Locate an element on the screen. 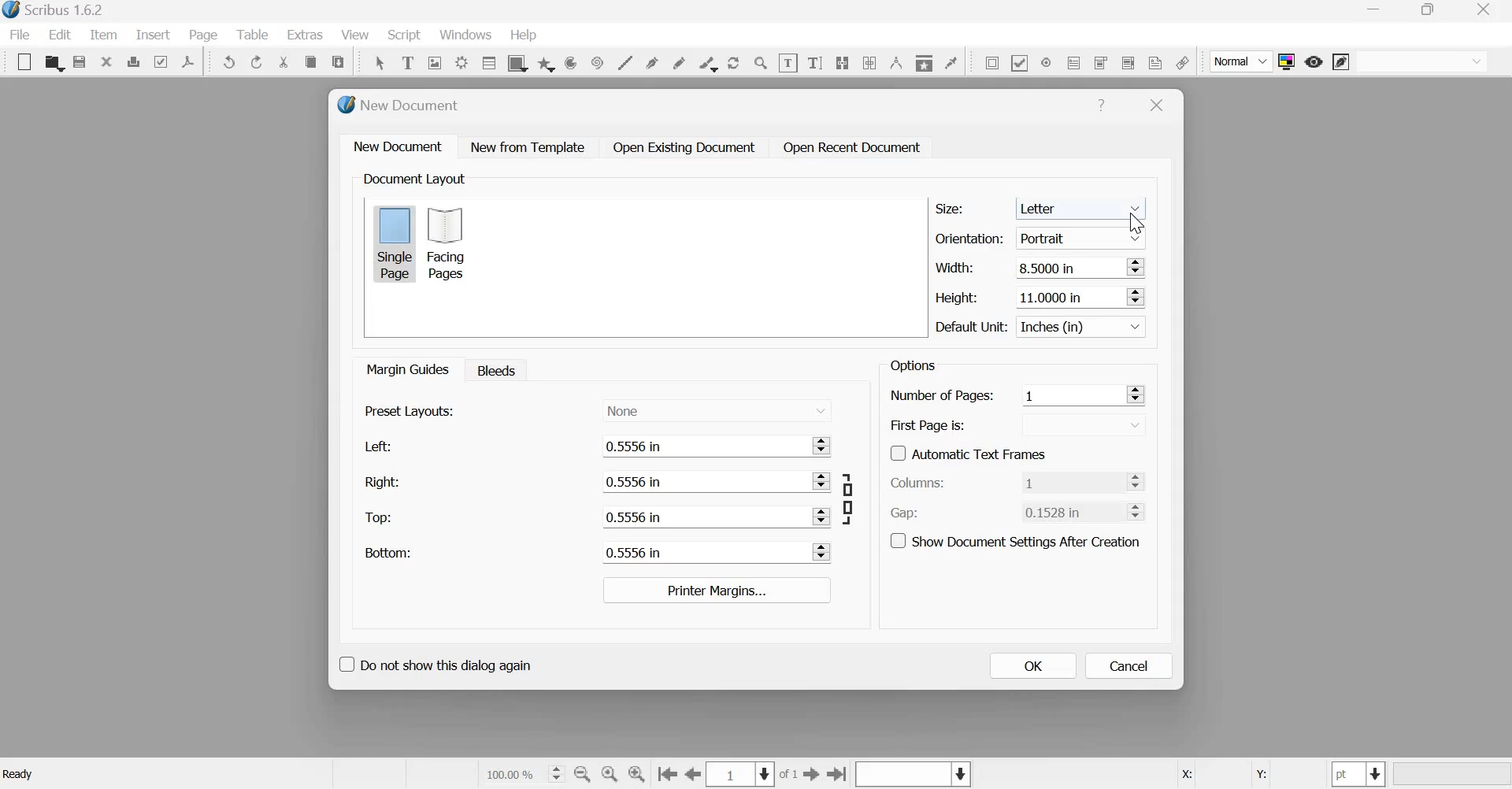 The image size is (1512, 789). Single page is located at coordinates (395, 243).